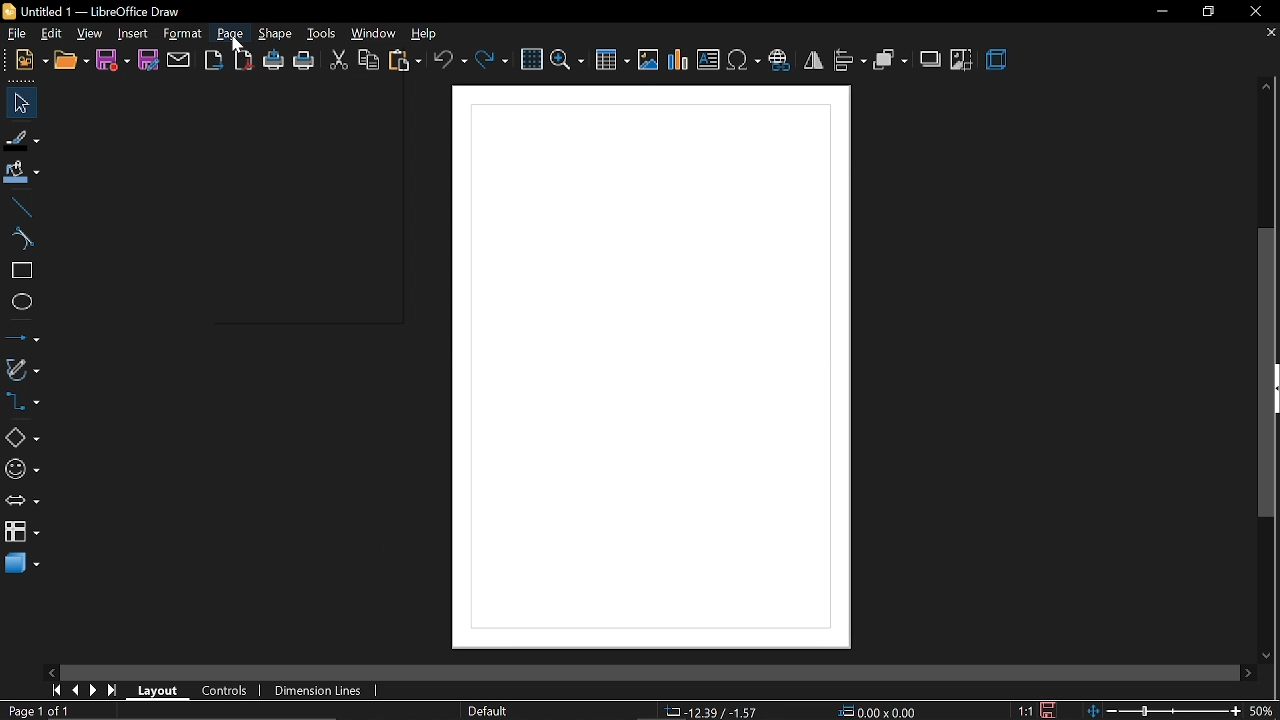 The height and width of the screenshot is (720, 1280). What do you see at coordinates (494, 62) in the screenshot?
I see `redo` at bounding box center [494, 62].